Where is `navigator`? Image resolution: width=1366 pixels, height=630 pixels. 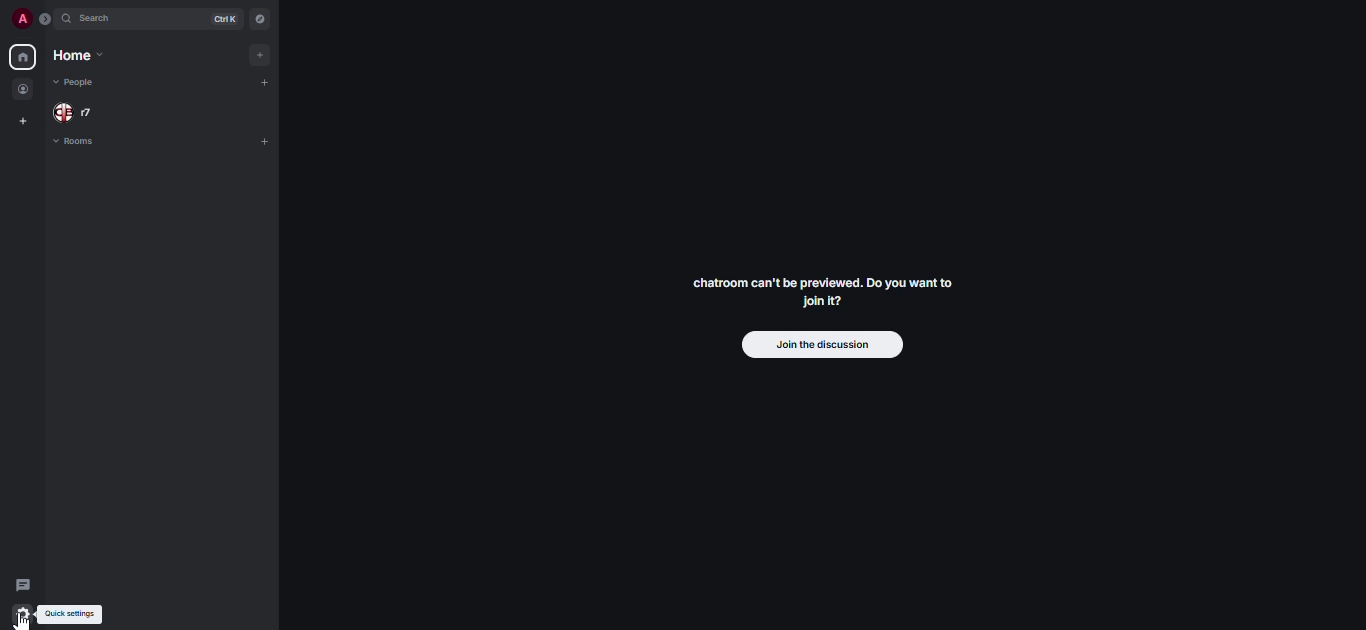 navigator is located at coordinates (261, 19).